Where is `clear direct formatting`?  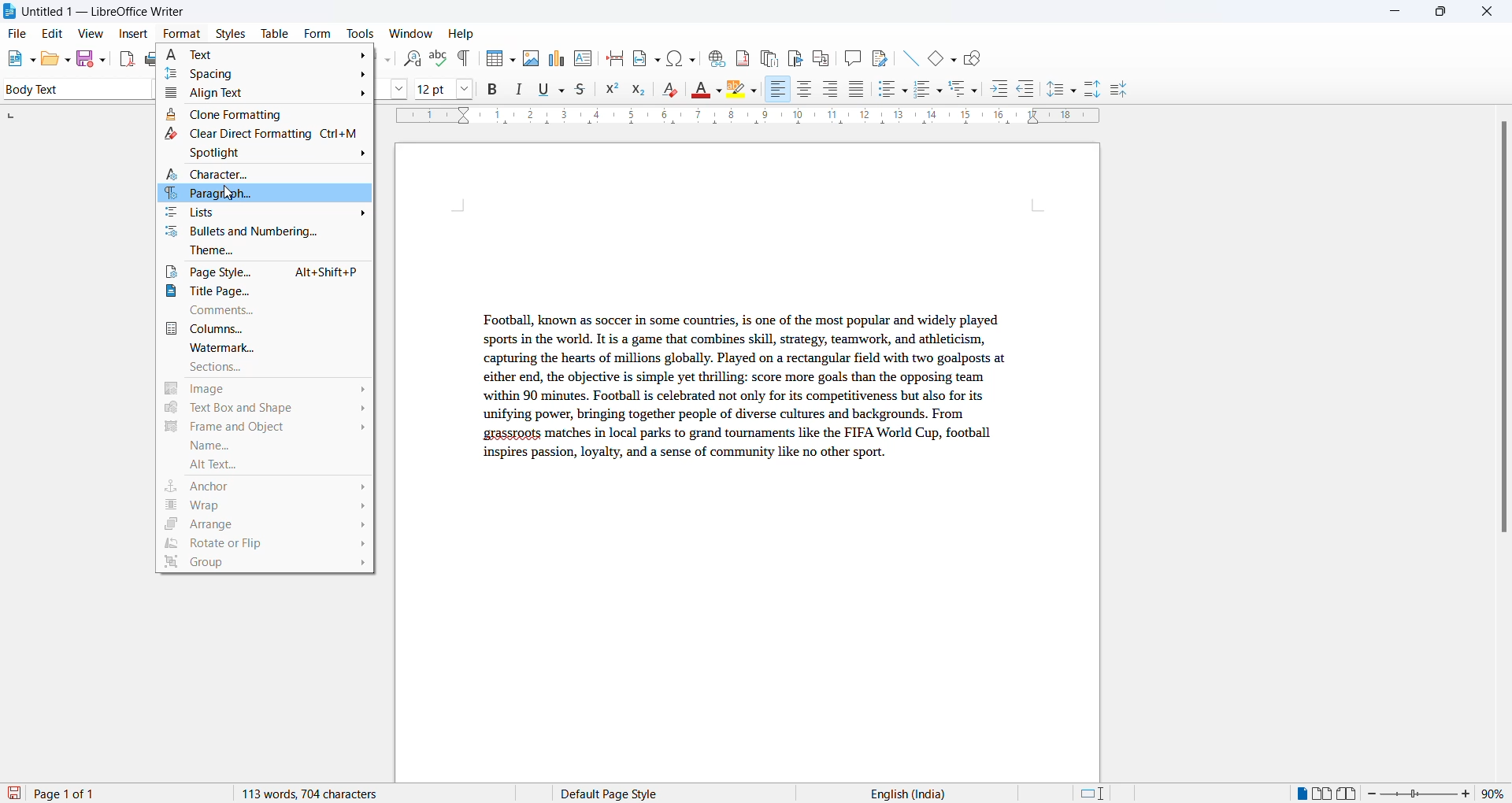
clear direct formatting is located at coordinates (674, 91).